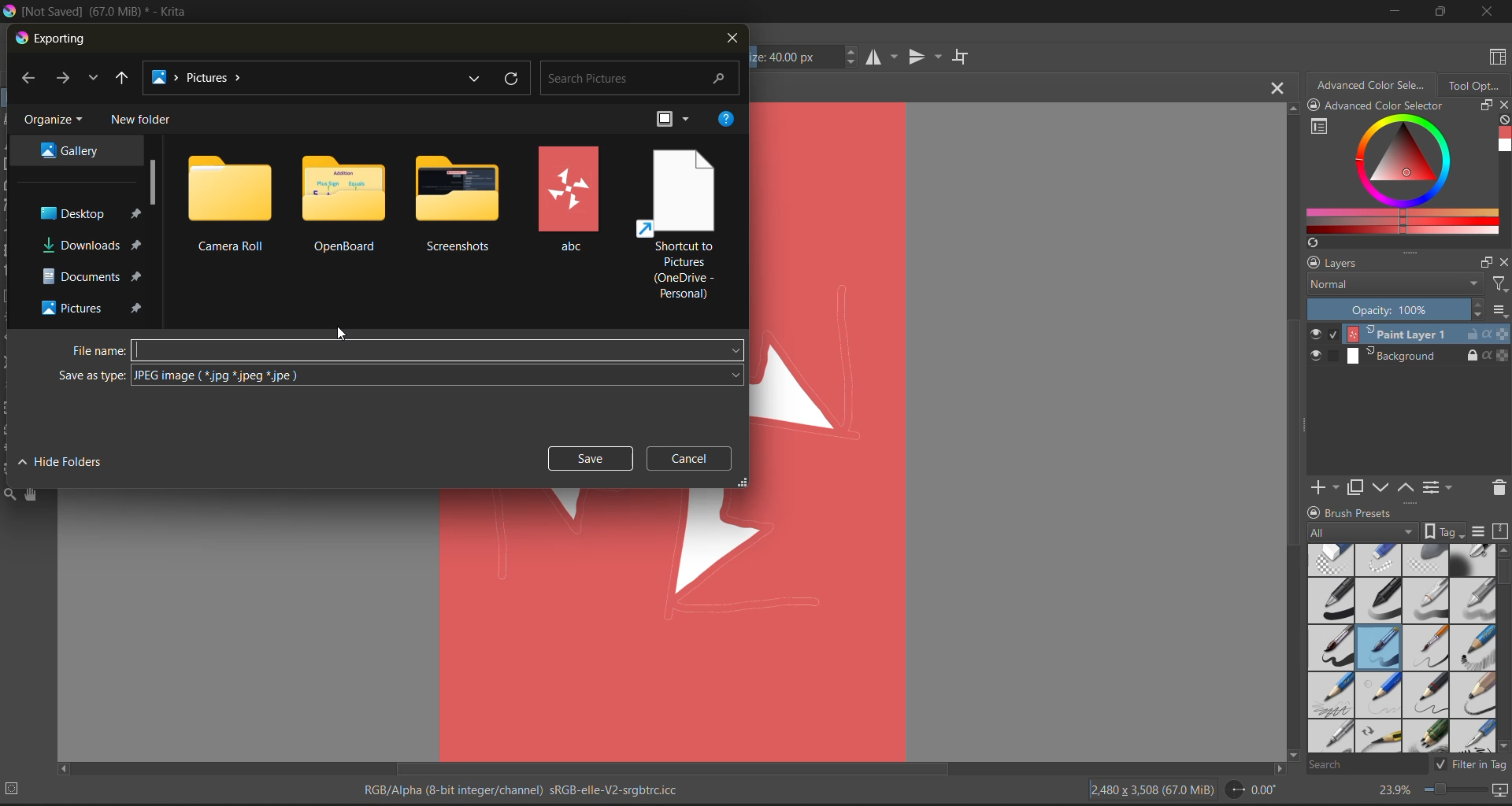  I want to click on horizontal mirror tool, so click(884, 58).